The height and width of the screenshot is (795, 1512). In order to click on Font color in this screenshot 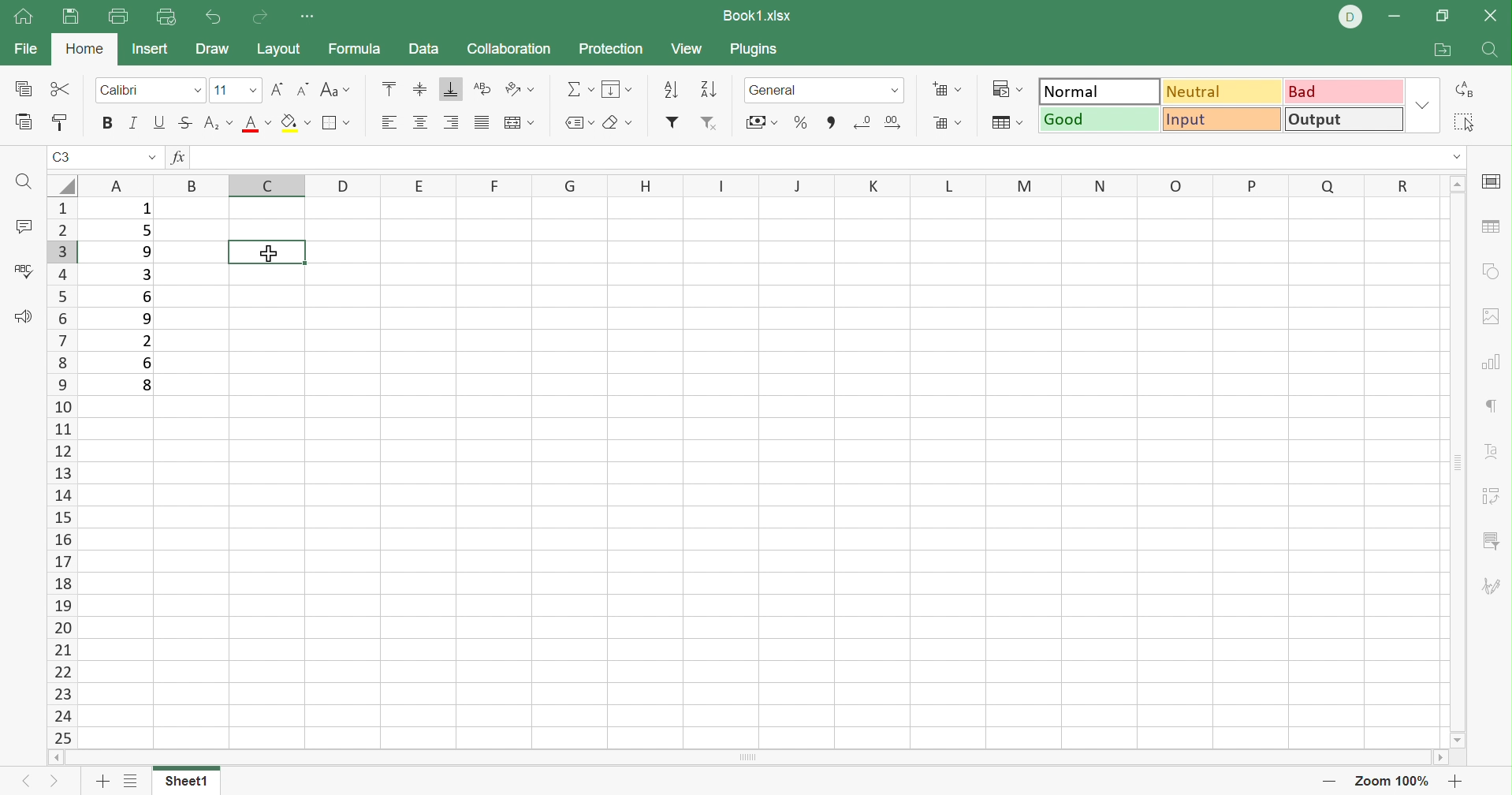, I will do `click(258, 127)`.